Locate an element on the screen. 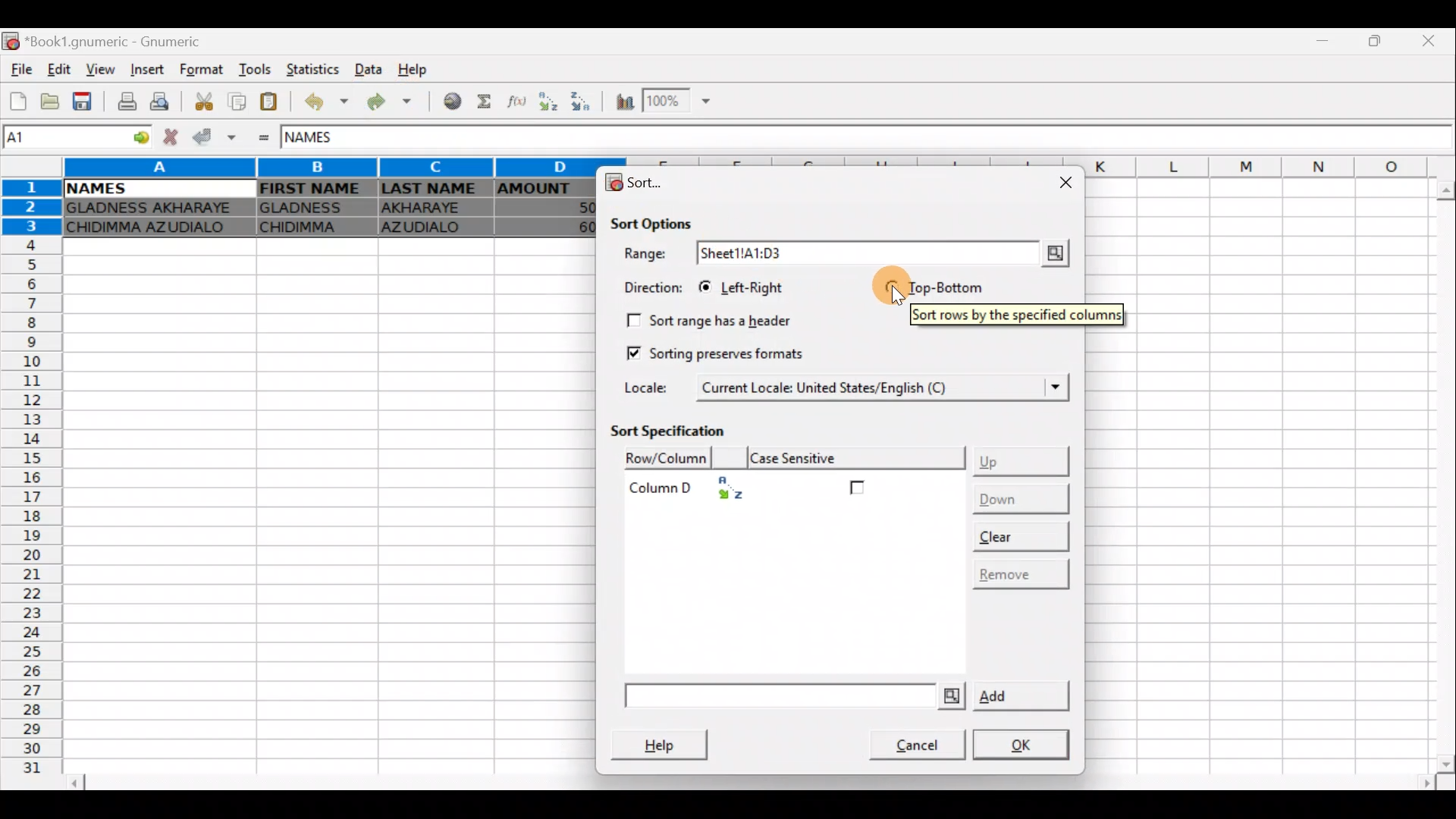  Format is located at coordinates (206, 71).